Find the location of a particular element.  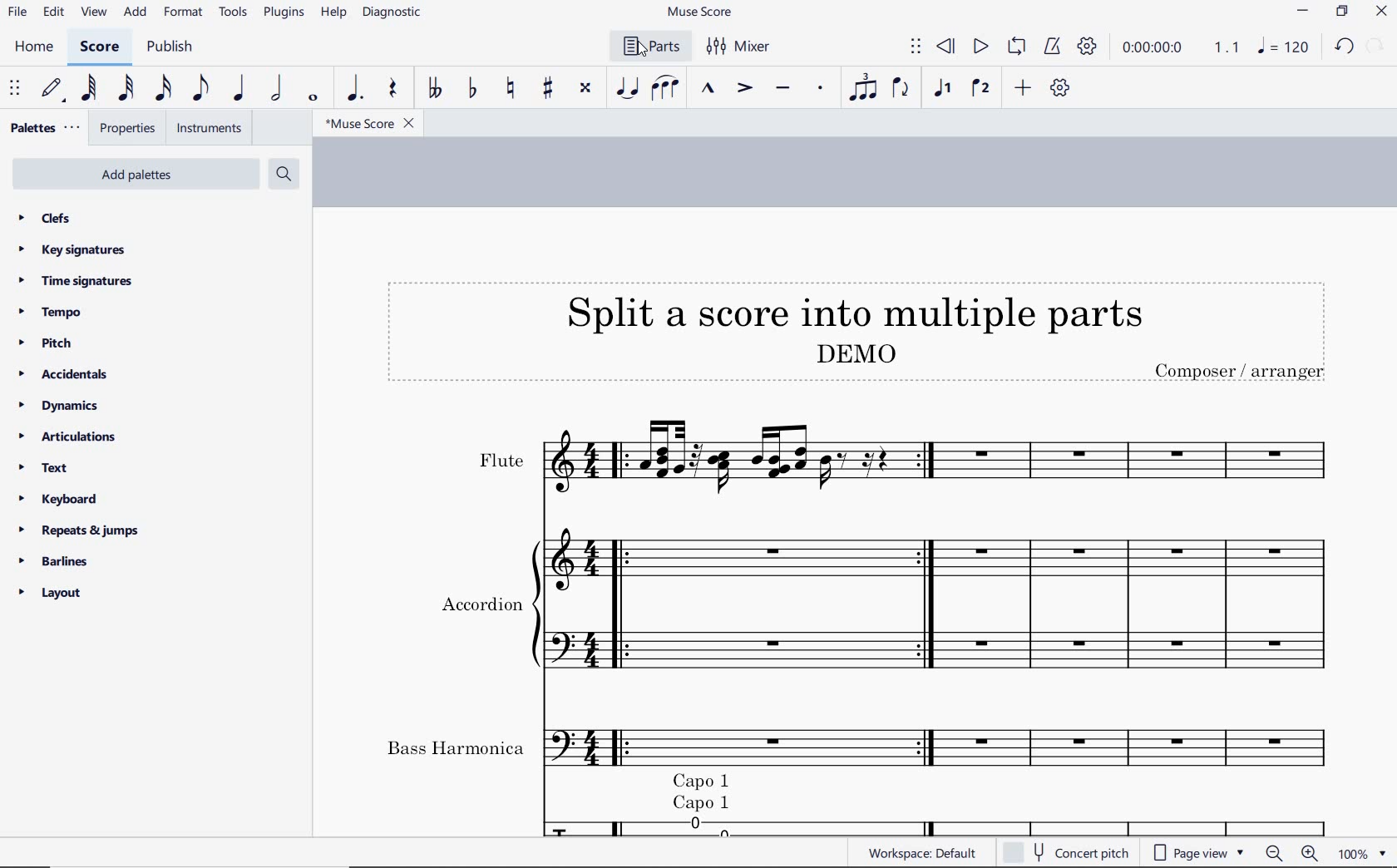

toggle double-sharp is located at coordinates (585, 89).